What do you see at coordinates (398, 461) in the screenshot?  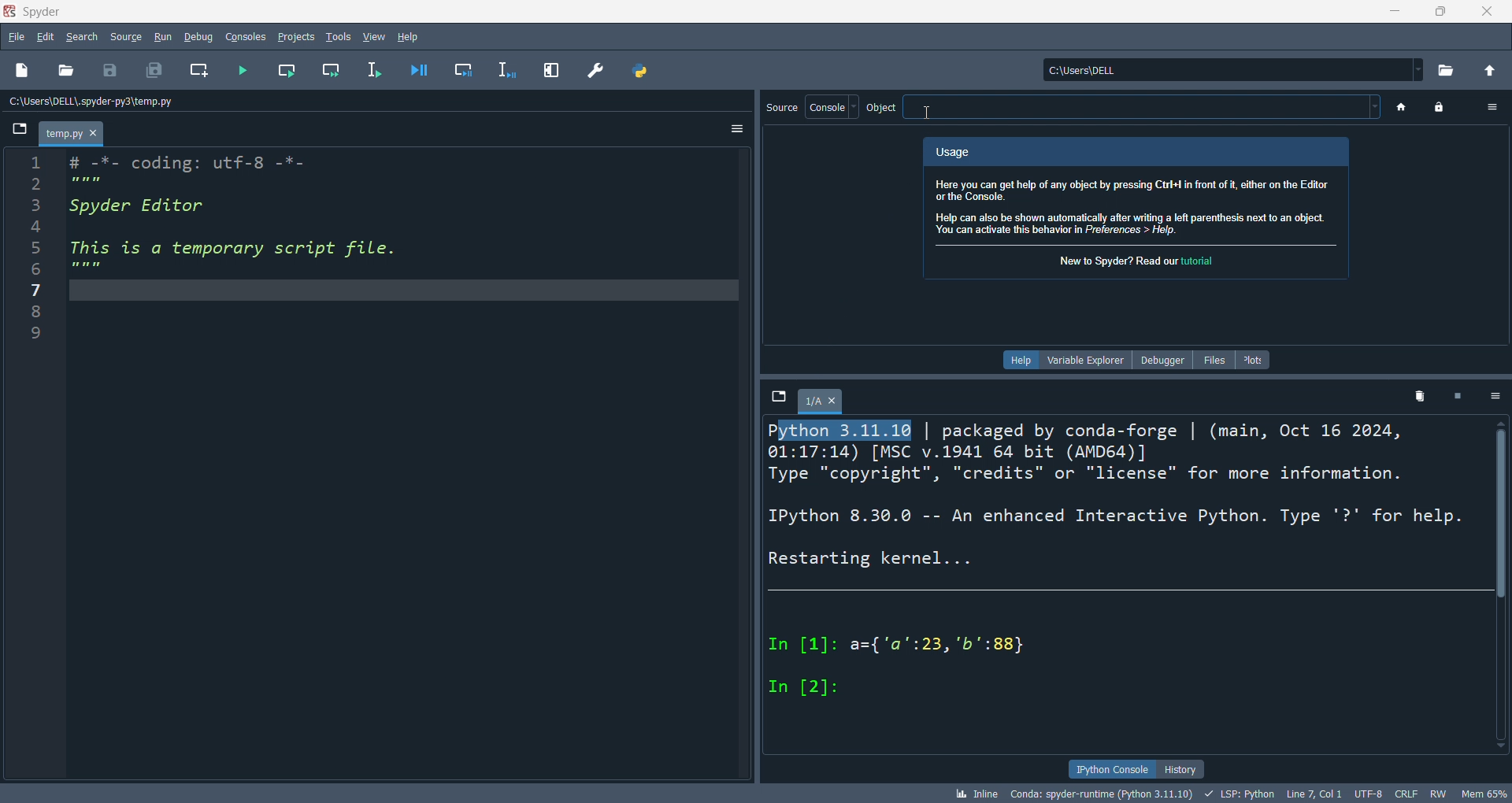 I see `# -*- coding: utf-8 -*-
Spyder Editor
This is a temporary script file.` at bounding box center [398, 461].